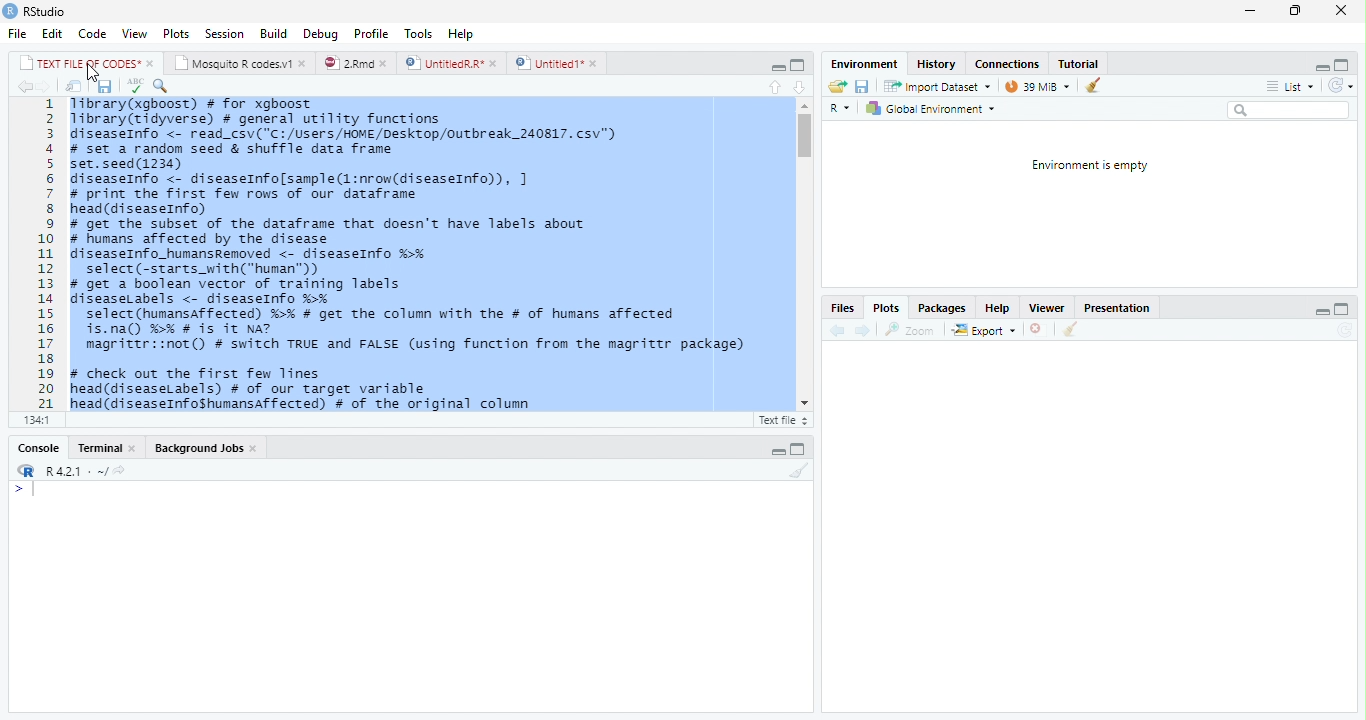  I want to click on Export, so click(984, 330).